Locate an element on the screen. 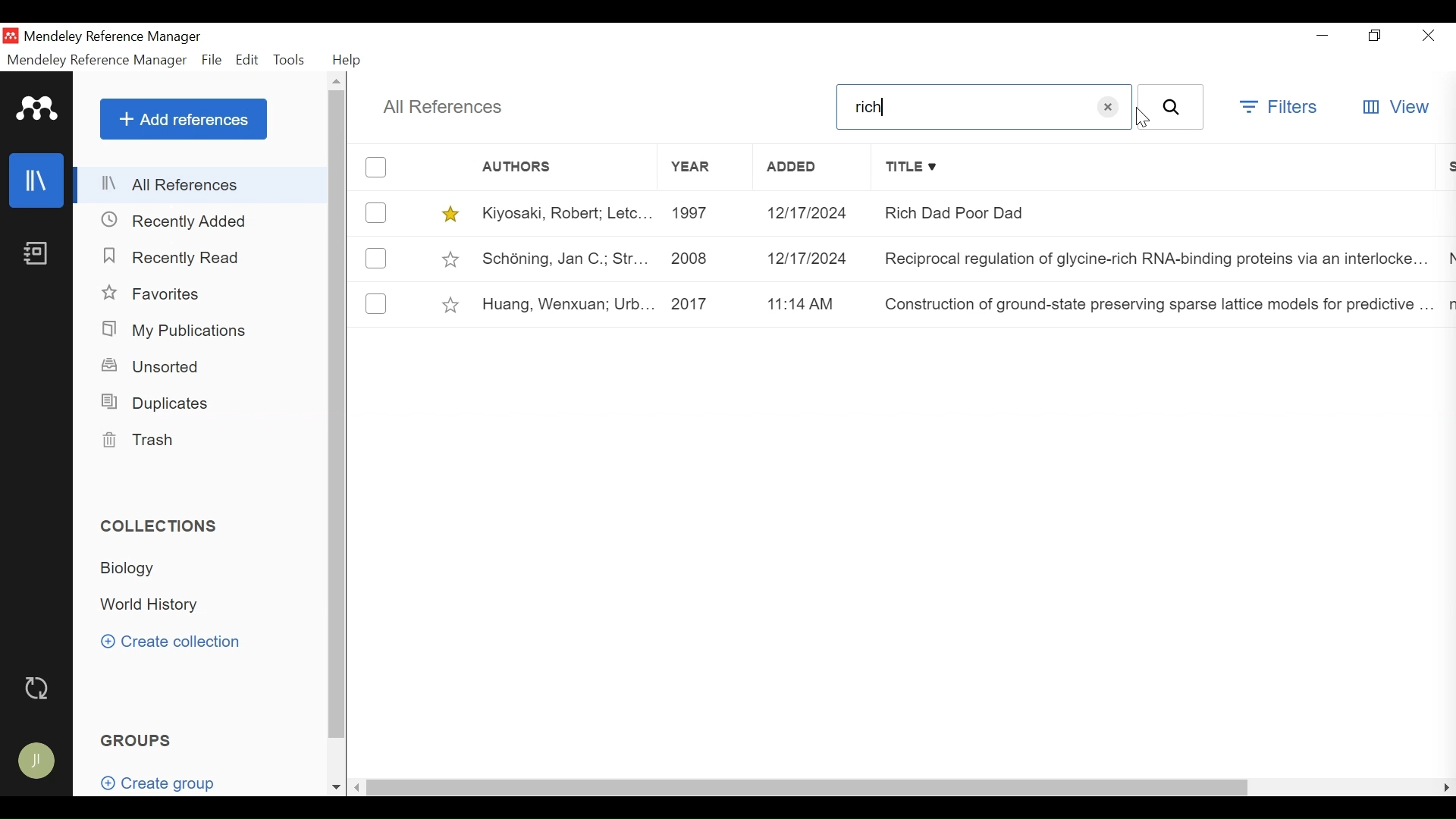 This screenshot has width=1456, height=819. Help is located at coordinates (349, 61).